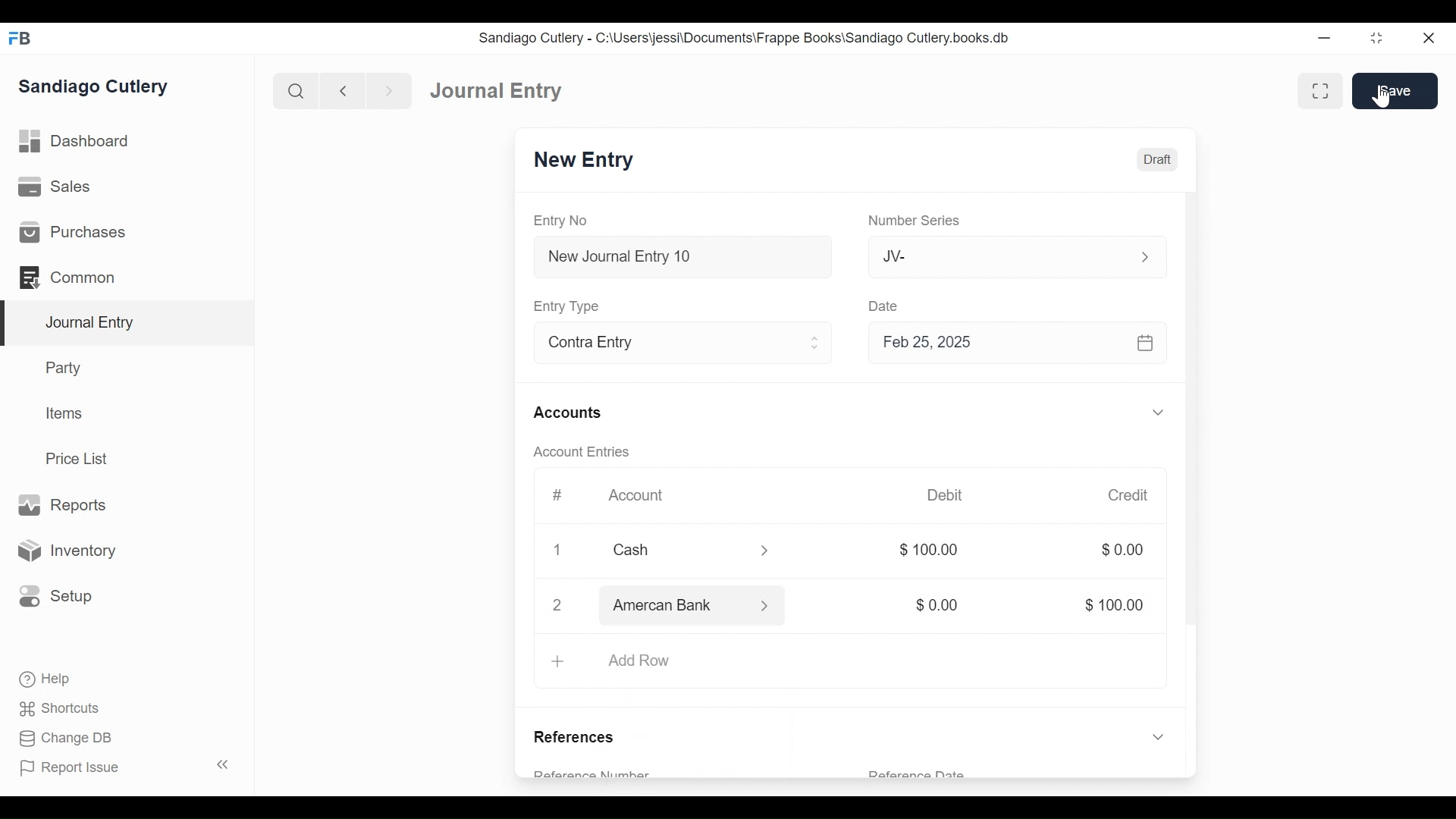 The image size is (1456, 819). Describe the element at coordinates (1326, 39) in the screenshot. I see `Minimize` at that location.